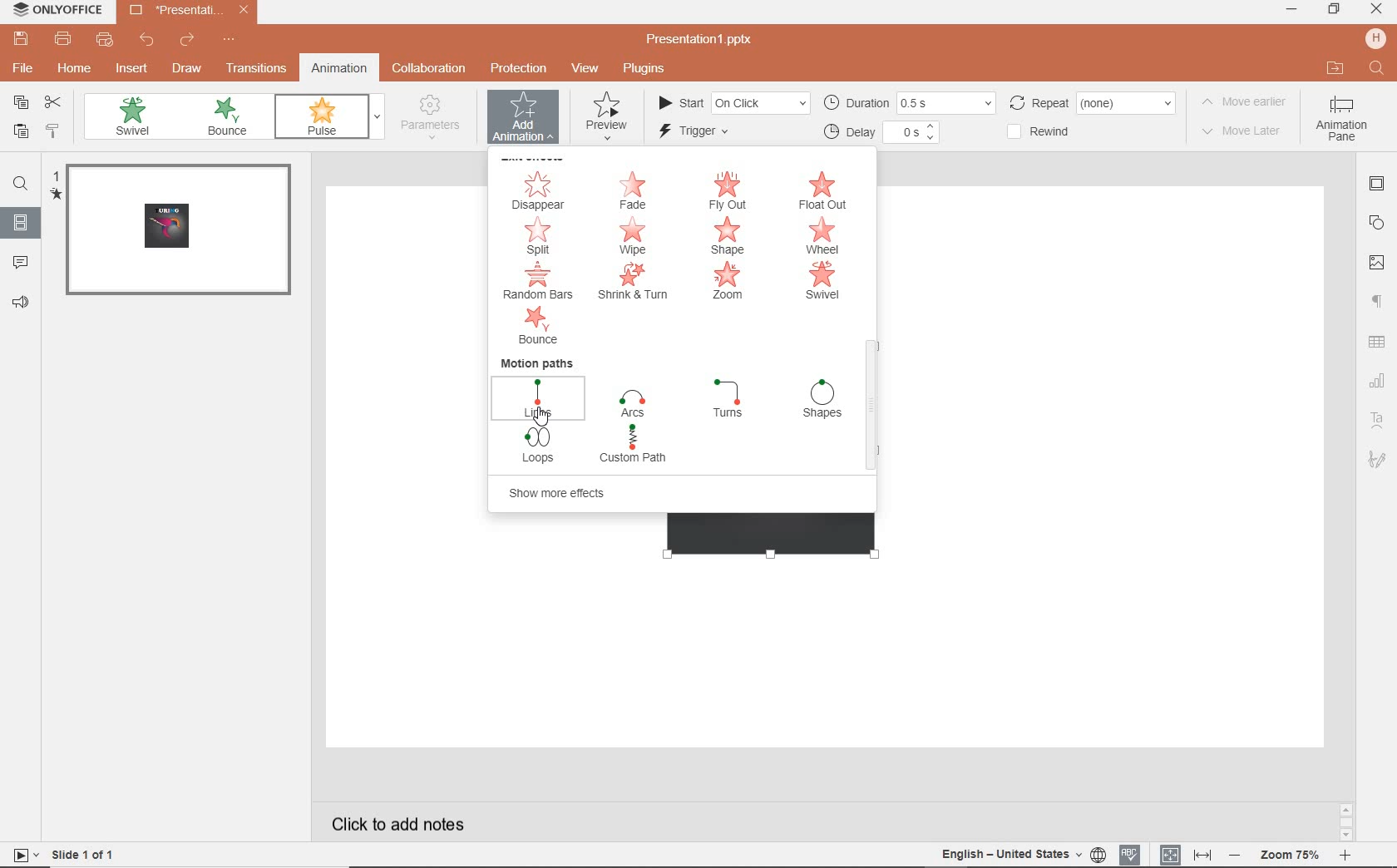  Describe the element at coordinates (379, 116) in the screenshot. I see `expand` at that location.